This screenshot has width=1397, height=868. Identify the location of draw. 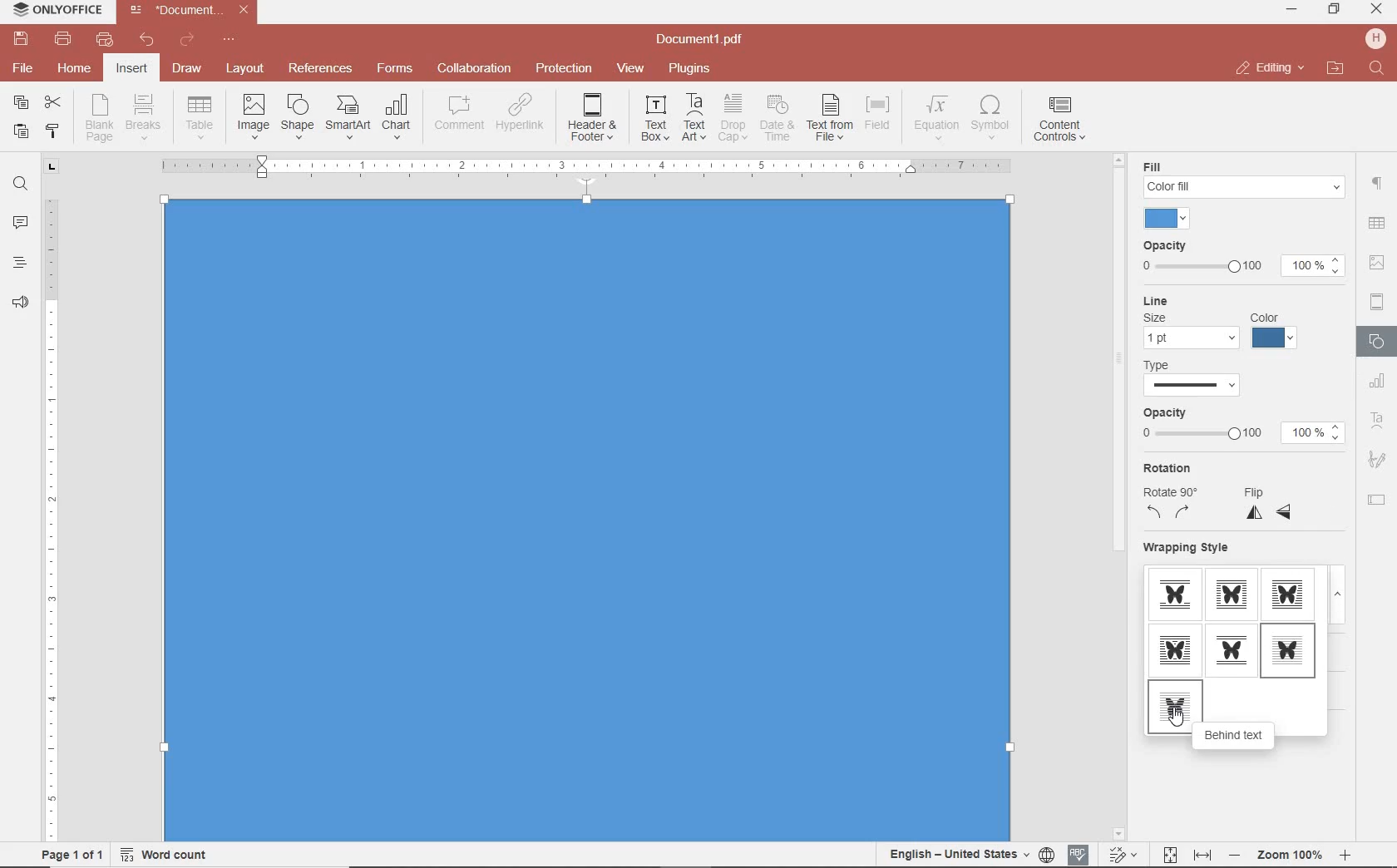
(188, 67).